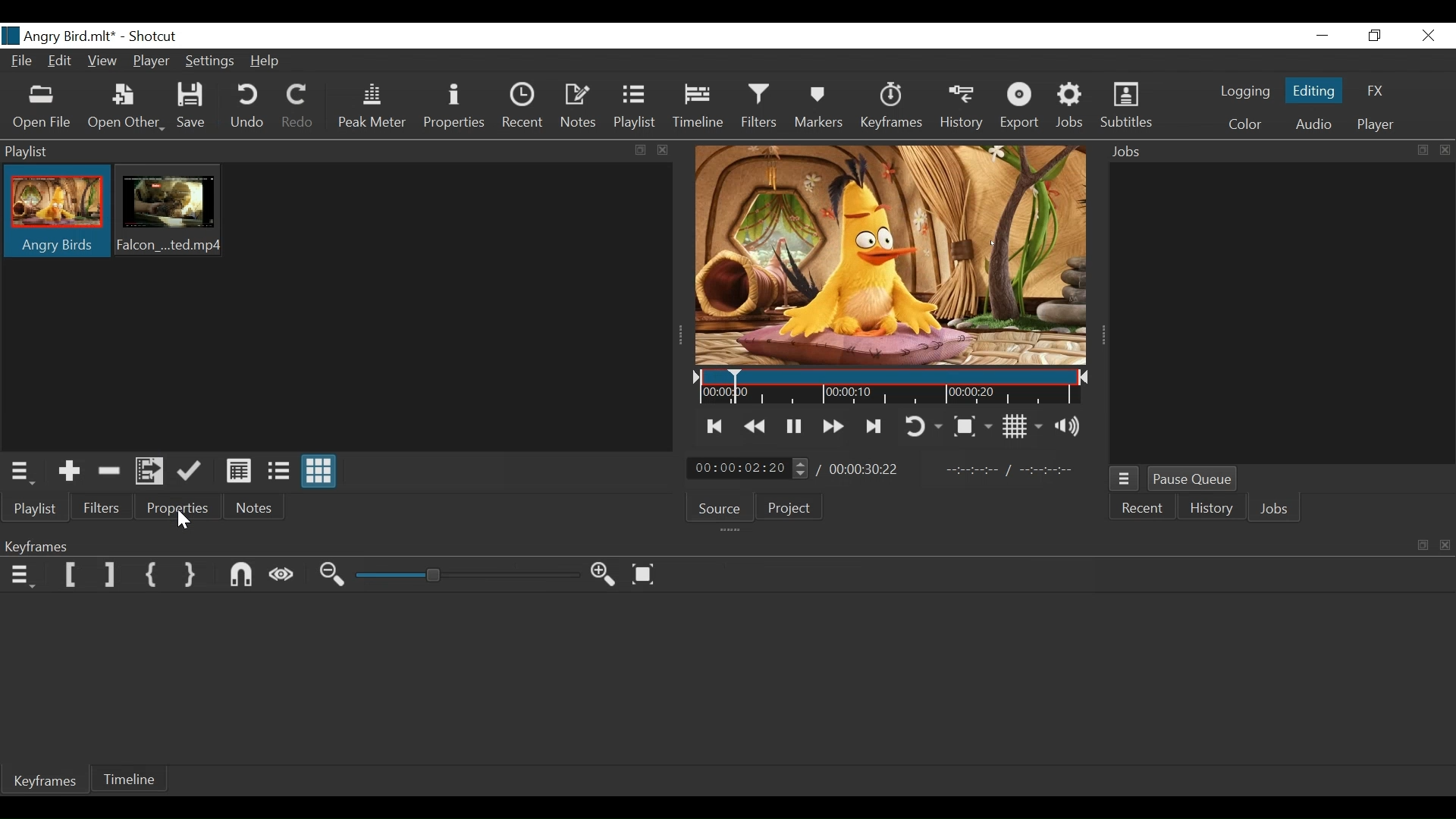  I want to click on Set Filter First, so click(71, 574).